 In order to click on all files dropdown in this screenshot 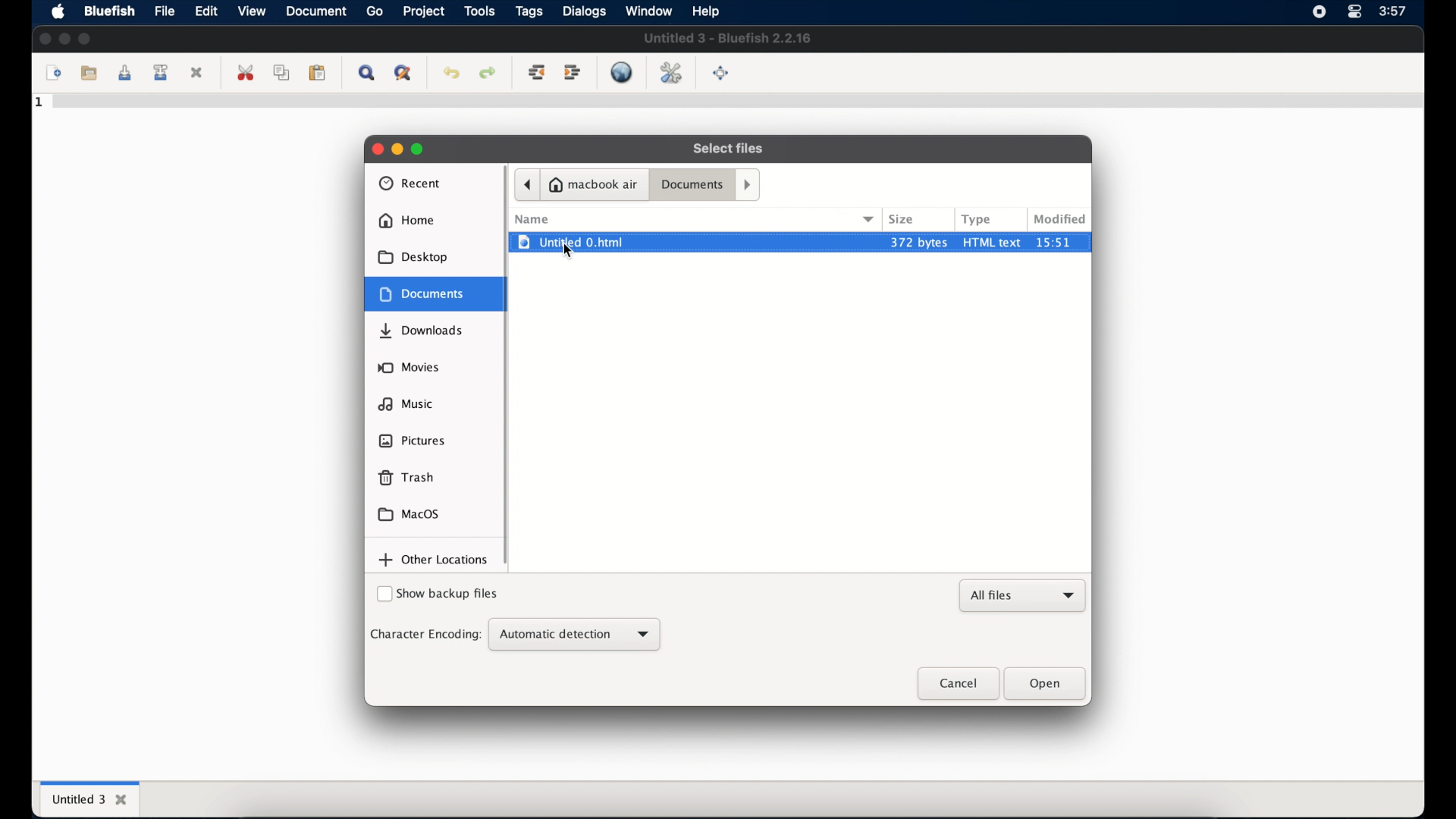, I will do `click(1024, 596)`.